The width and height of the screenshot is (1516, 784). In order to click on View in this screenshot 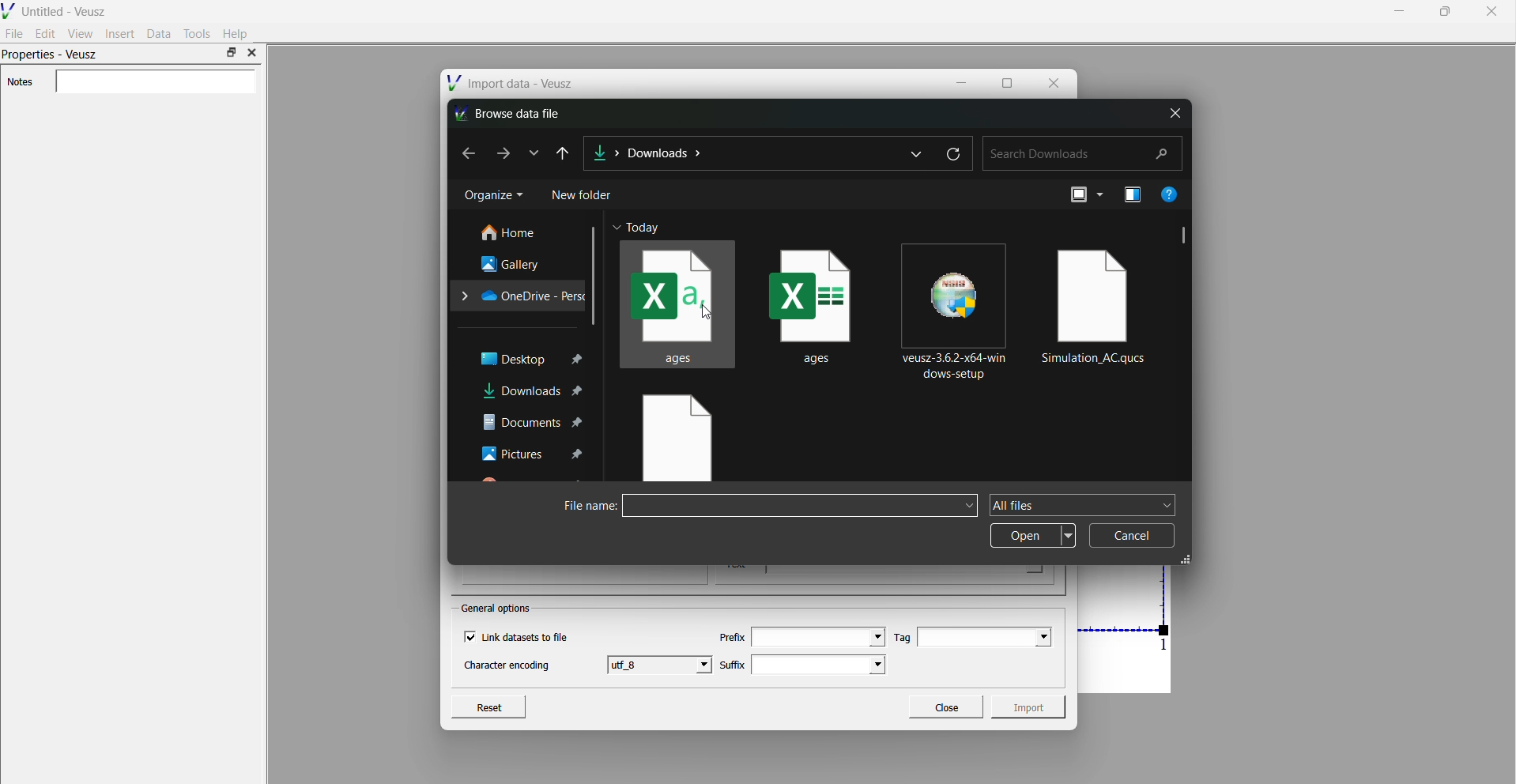, I will do `click(80, 33)`.